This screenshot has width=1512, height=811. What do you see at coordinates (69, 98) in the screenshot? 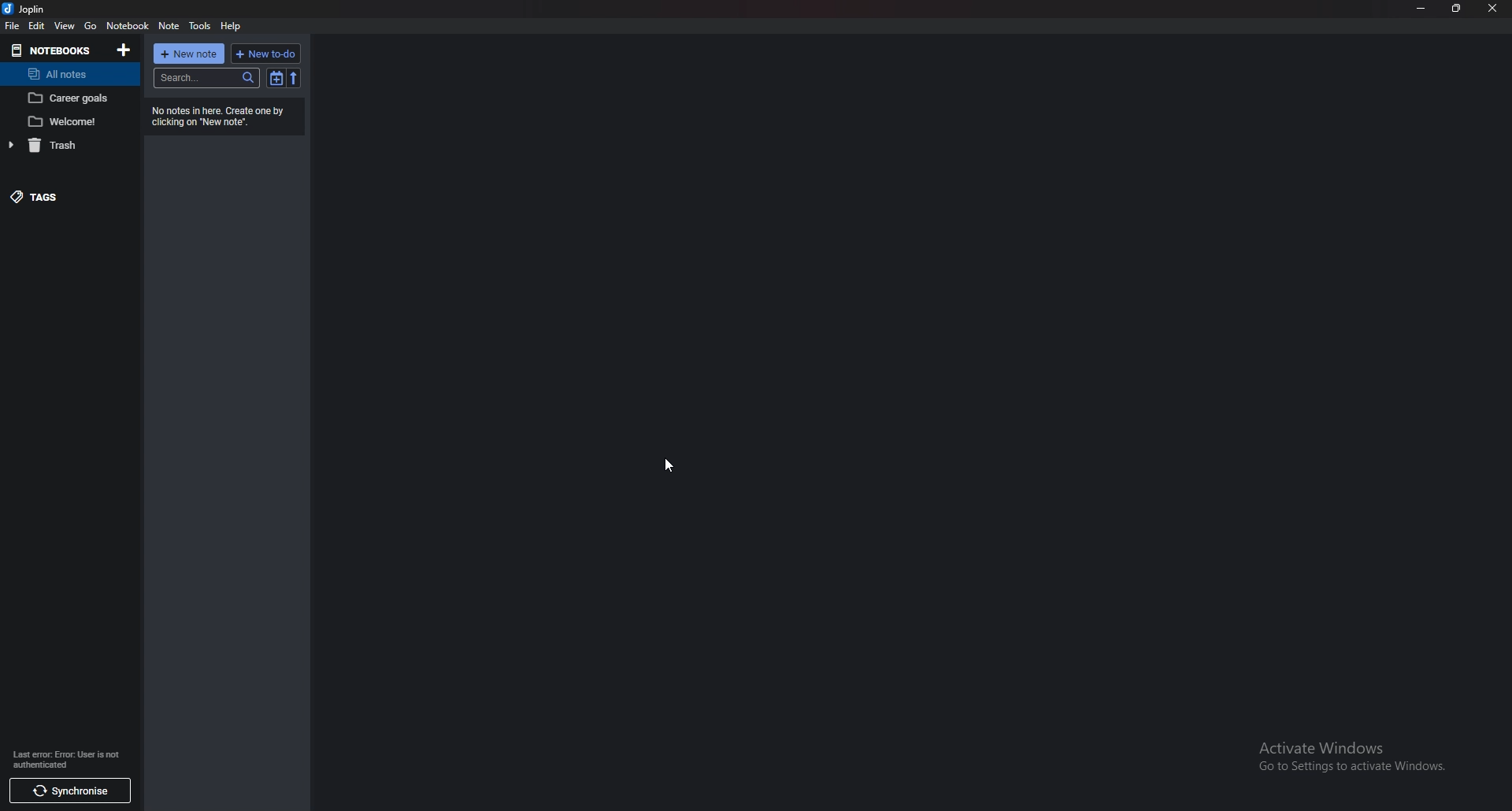
I see `note` at bounding box center [69, 98].